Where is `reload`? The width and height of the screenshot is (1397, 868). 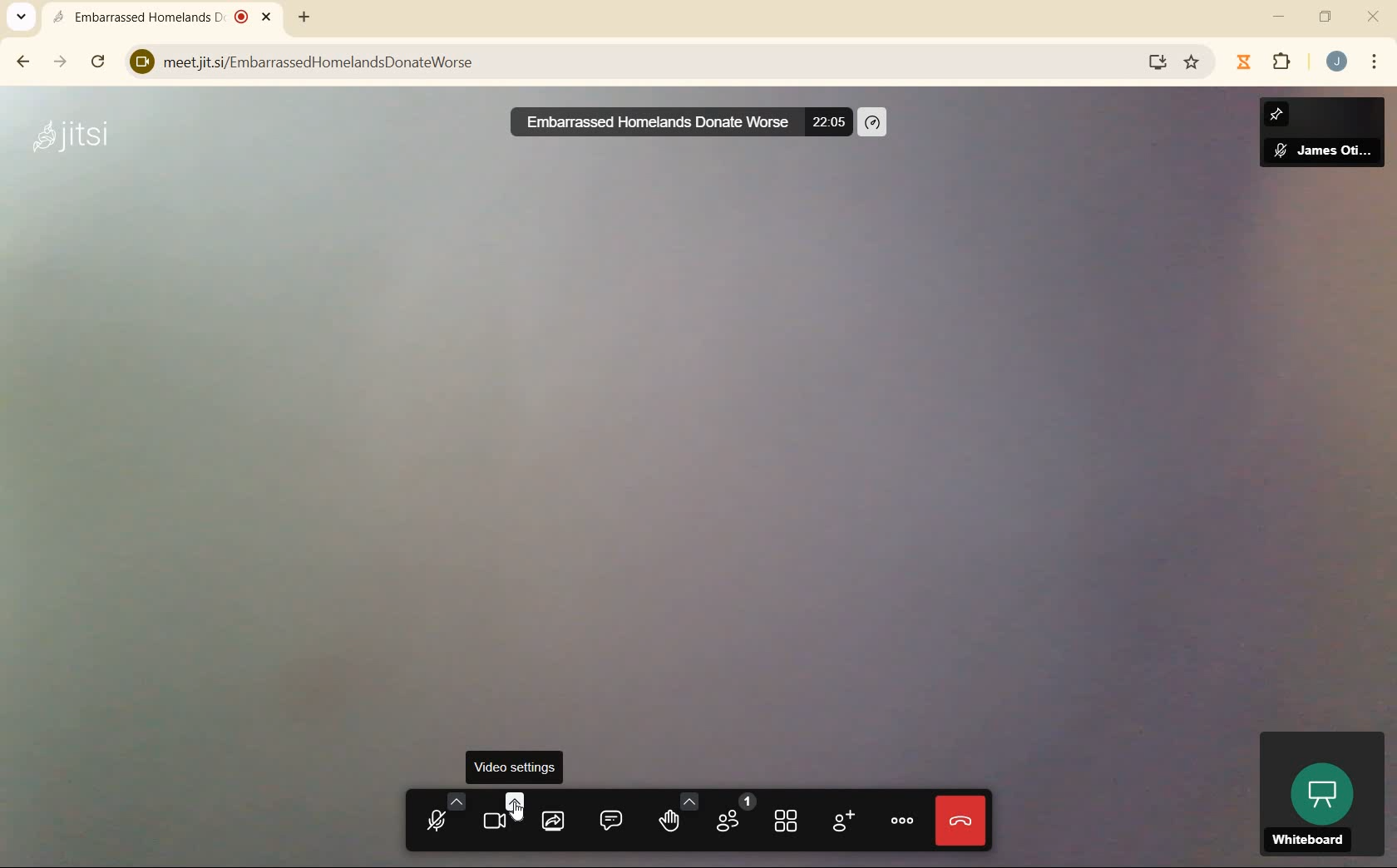
reload is located at coordinates (100, 62).